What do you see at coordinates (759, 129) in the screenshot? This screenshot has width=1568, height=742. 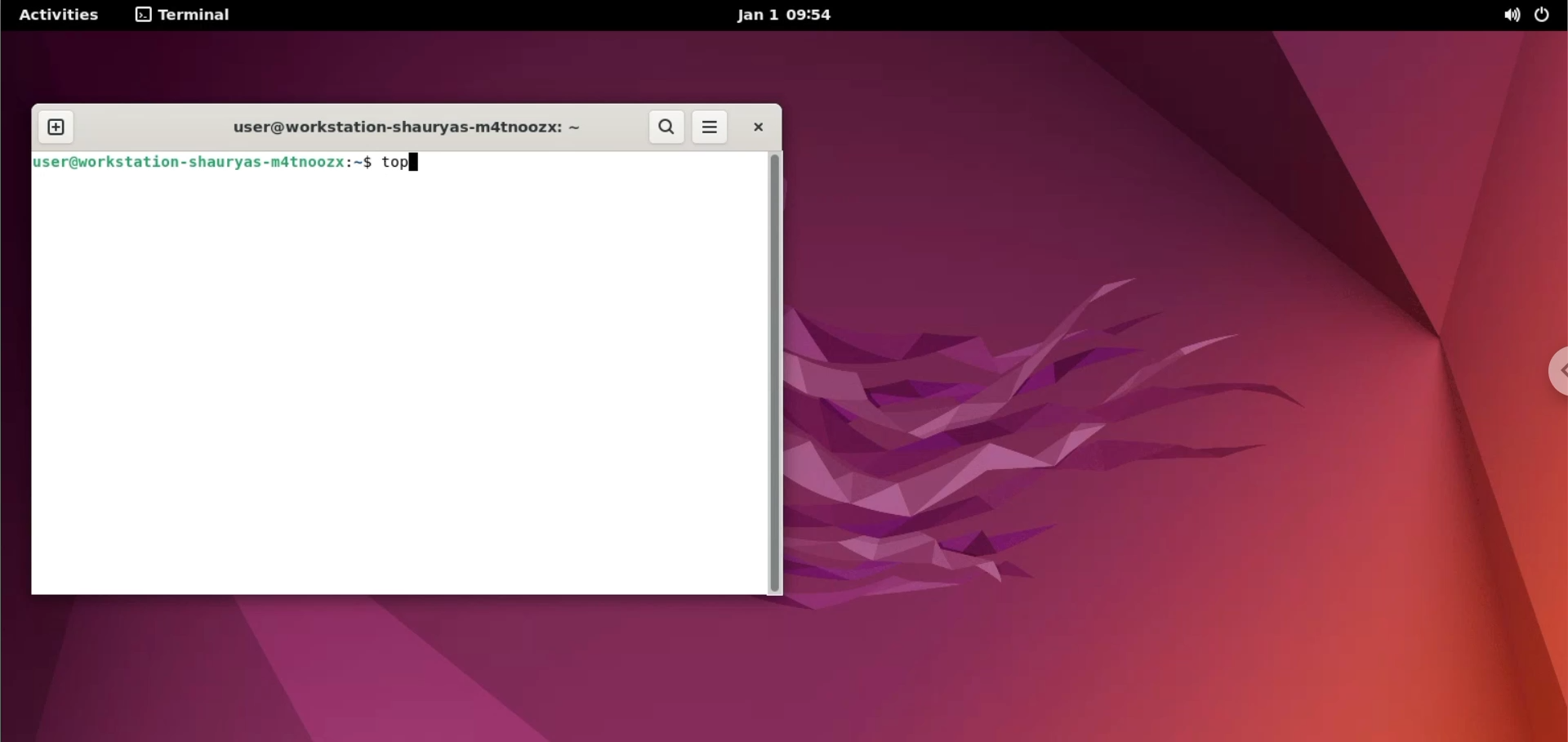 I see `close` at bounding box center [759, 129].